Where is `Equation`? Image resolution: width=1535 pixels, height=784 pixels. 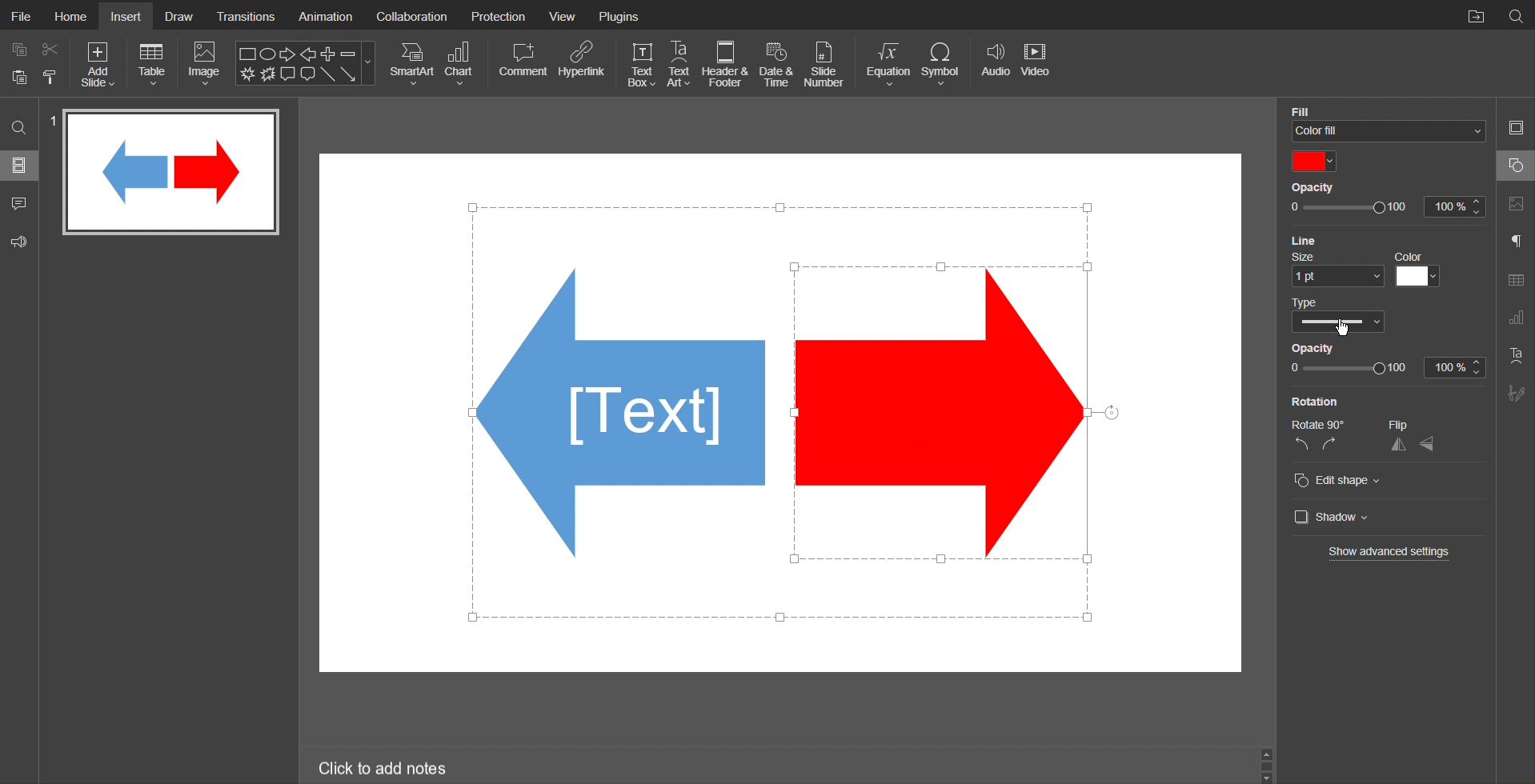 Equation is located at coordinates (886, 64).